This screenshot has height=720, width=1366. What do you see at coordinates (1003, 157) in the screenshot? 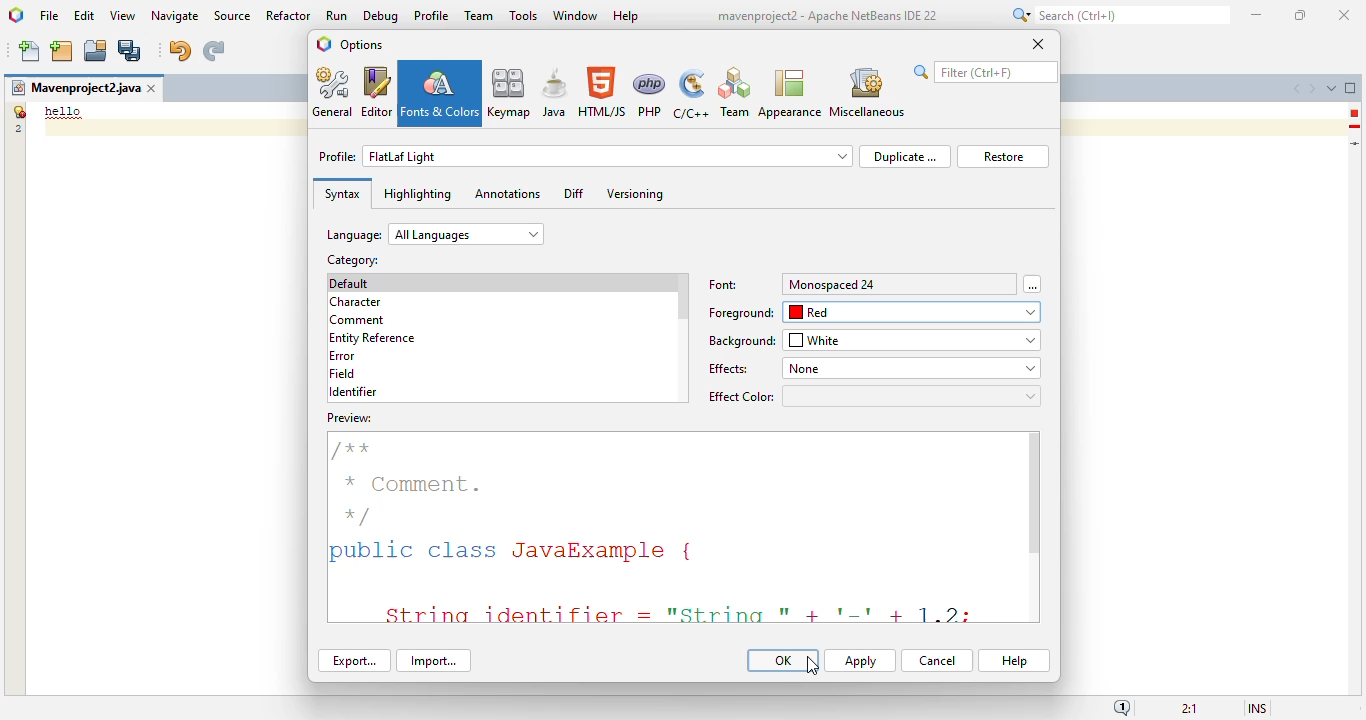
I see `restore` at bounding box center [1003, 157].